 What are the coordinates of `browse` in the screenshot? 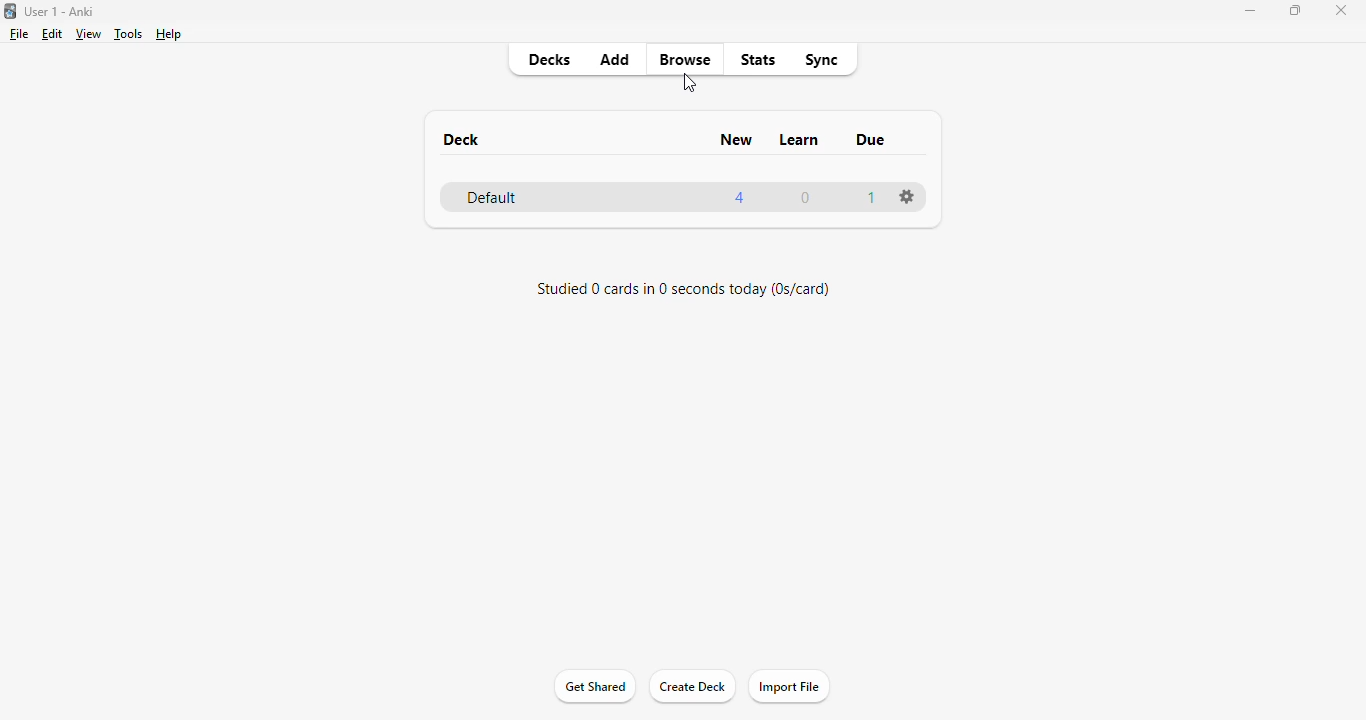 It's located at (685, 59).